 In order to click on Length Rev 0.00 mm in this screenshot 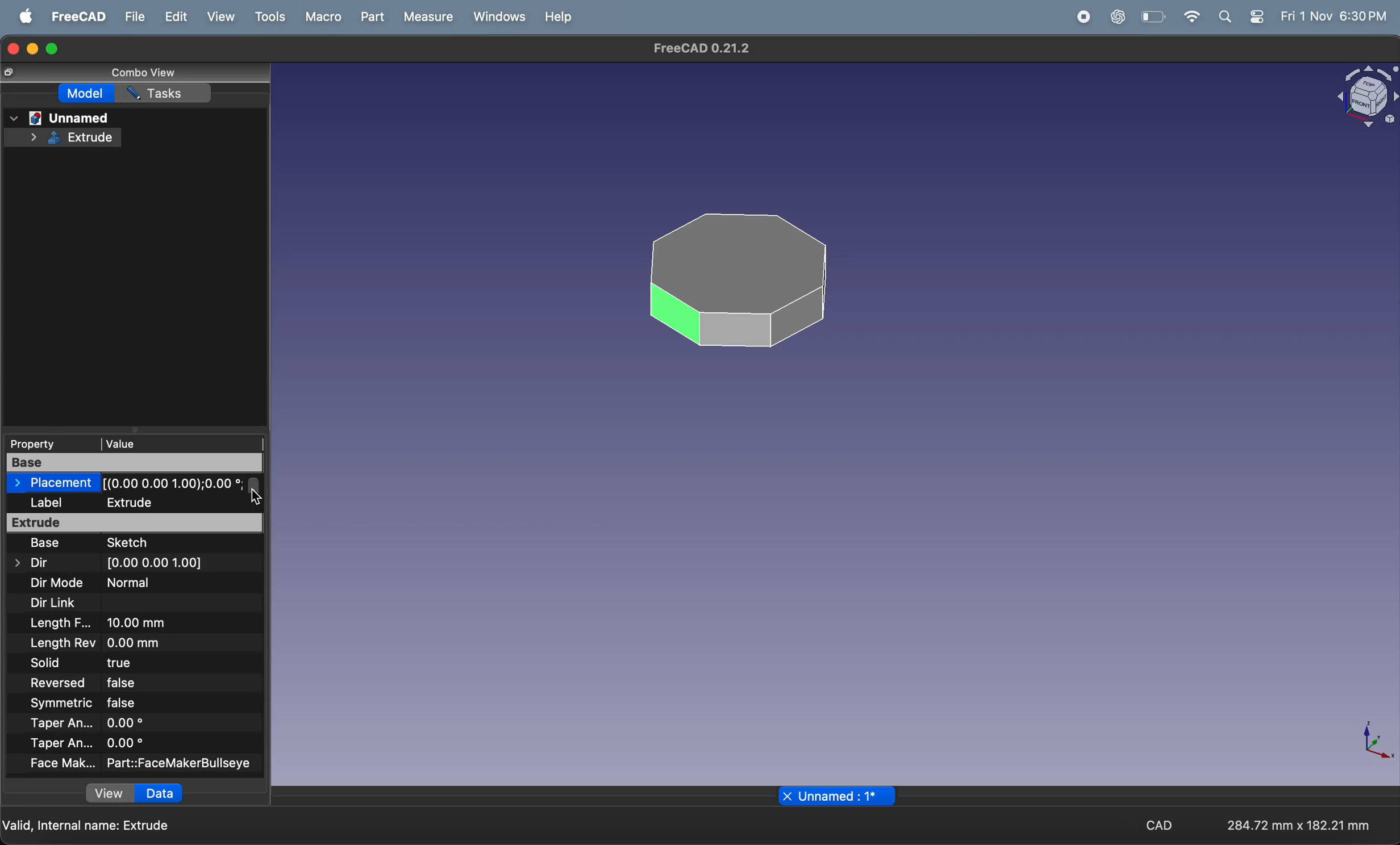, I will do `click(114, 643)`.